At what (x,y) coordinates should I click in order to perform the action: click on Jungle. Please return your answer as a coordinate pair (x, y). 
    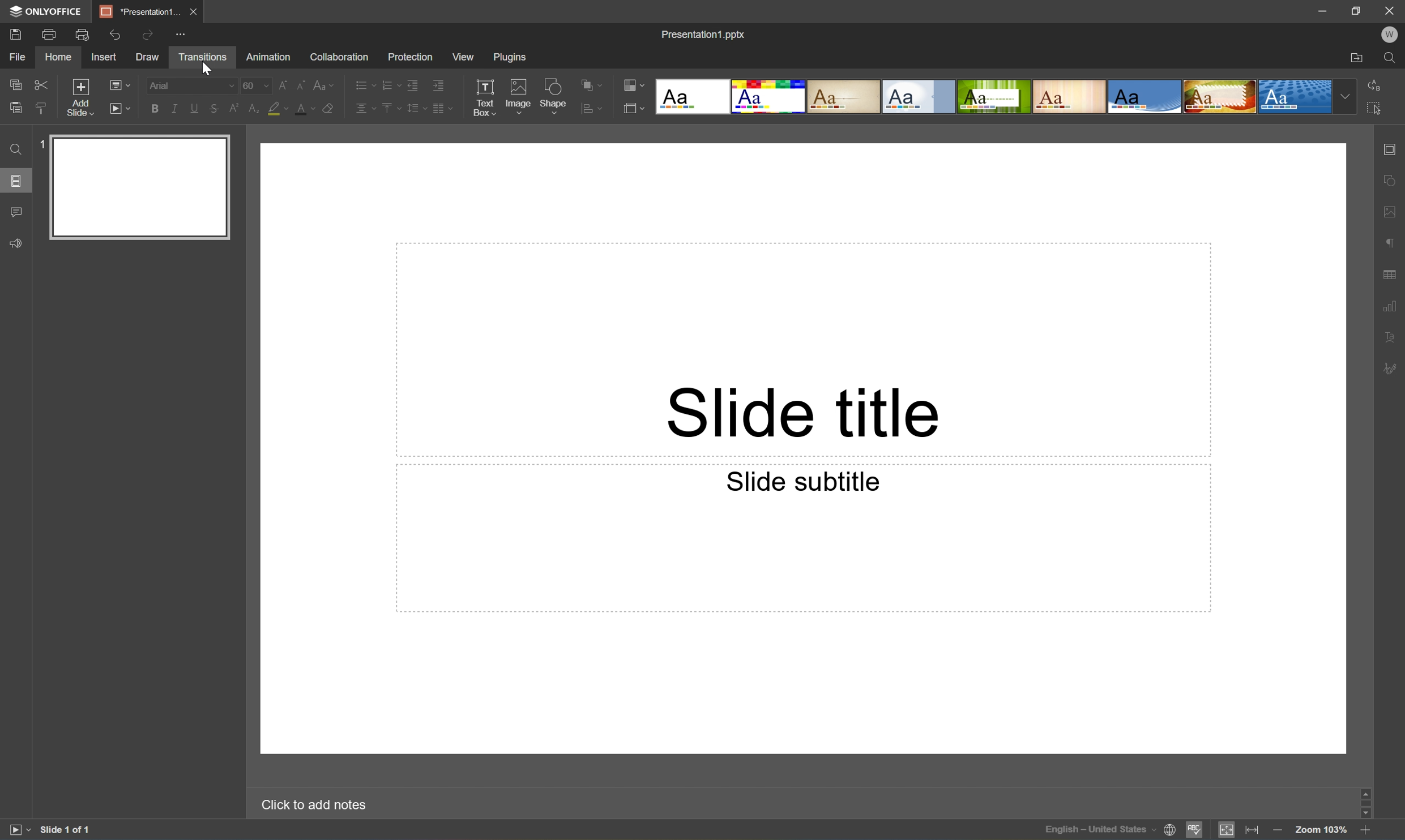
    Looking at the image, I should click on (1220, 97).